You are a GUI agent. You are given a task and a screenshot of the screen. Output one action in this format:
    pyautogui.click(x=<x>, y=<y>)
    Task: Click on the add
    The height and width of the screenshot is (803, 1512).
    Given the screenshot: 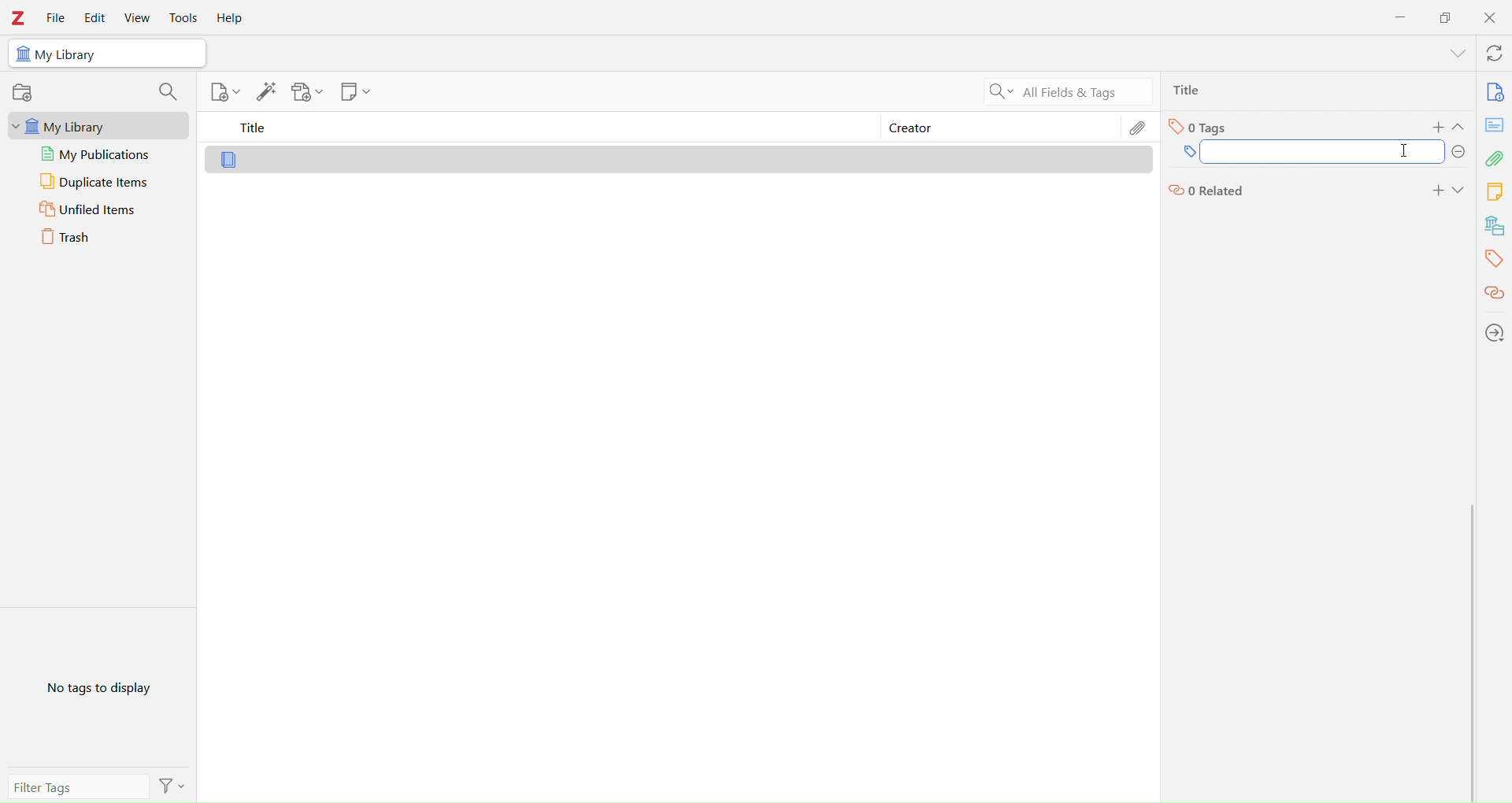 What is the action you would take?
    pyautogui.click(x=1434, y=189)
    